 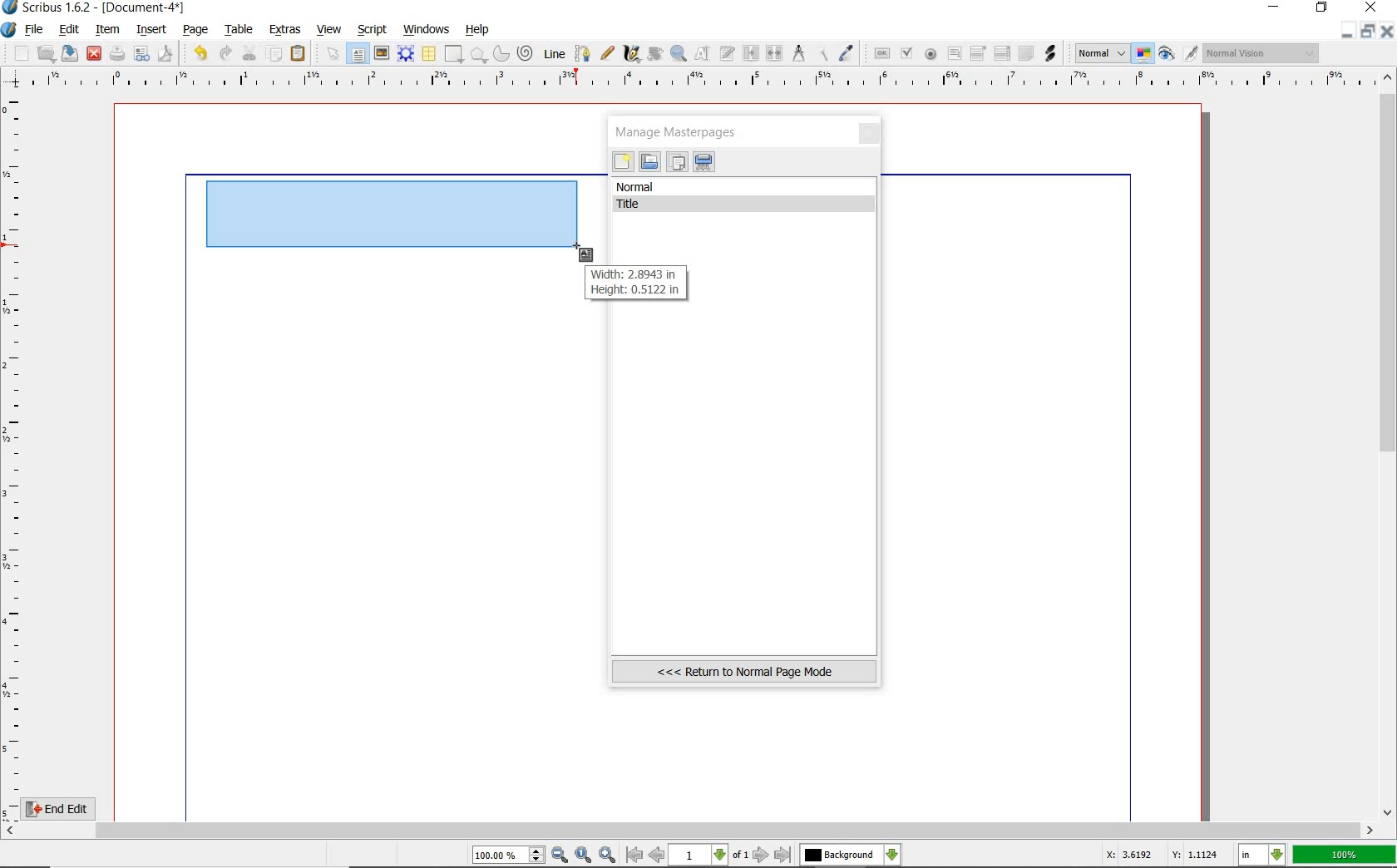 I want to click on ruler, so click(x=15, y=454).